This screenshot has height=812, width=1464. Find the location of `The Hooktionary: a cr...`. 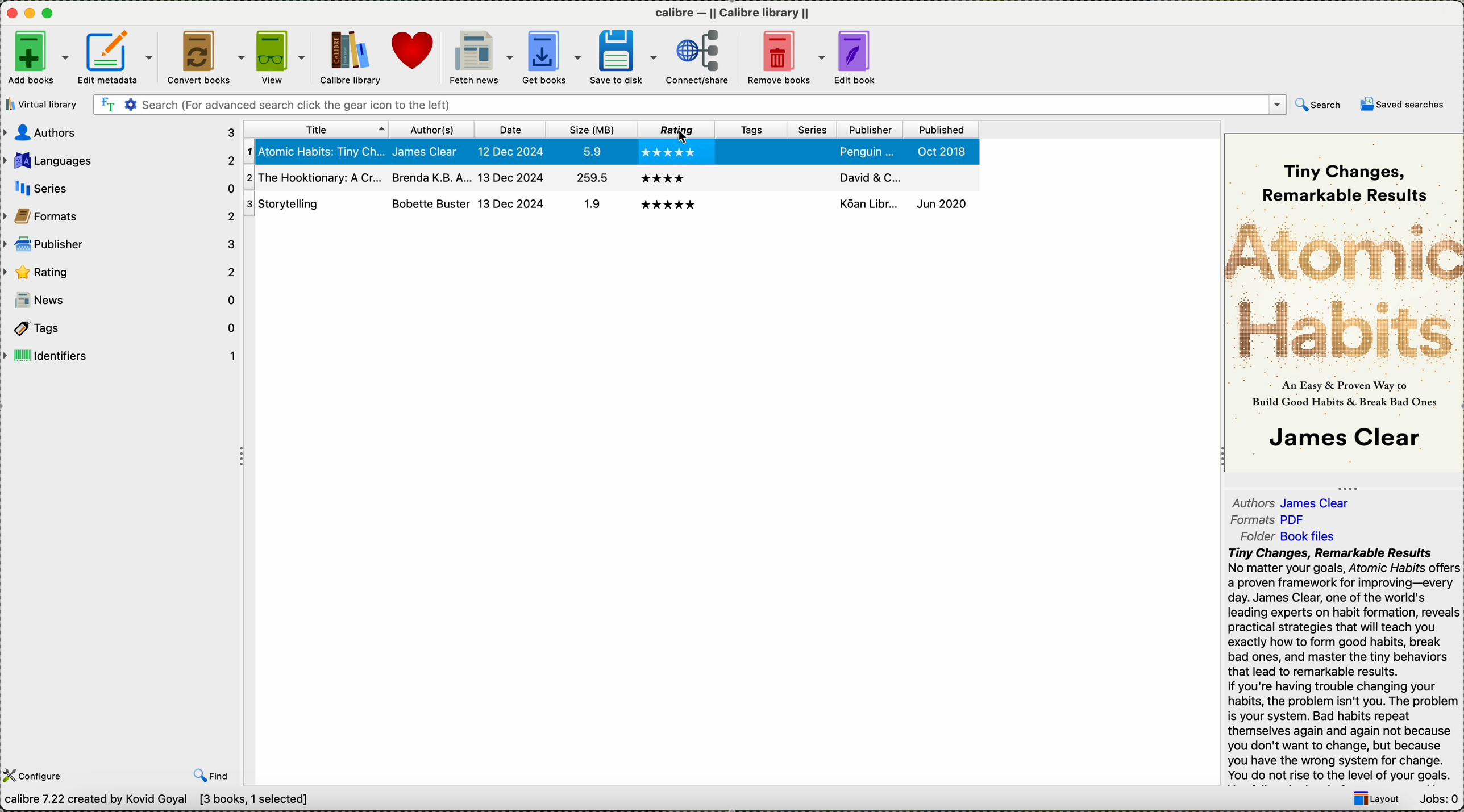

The Hooktionary: a cr... is located at coordinates (313, 178).